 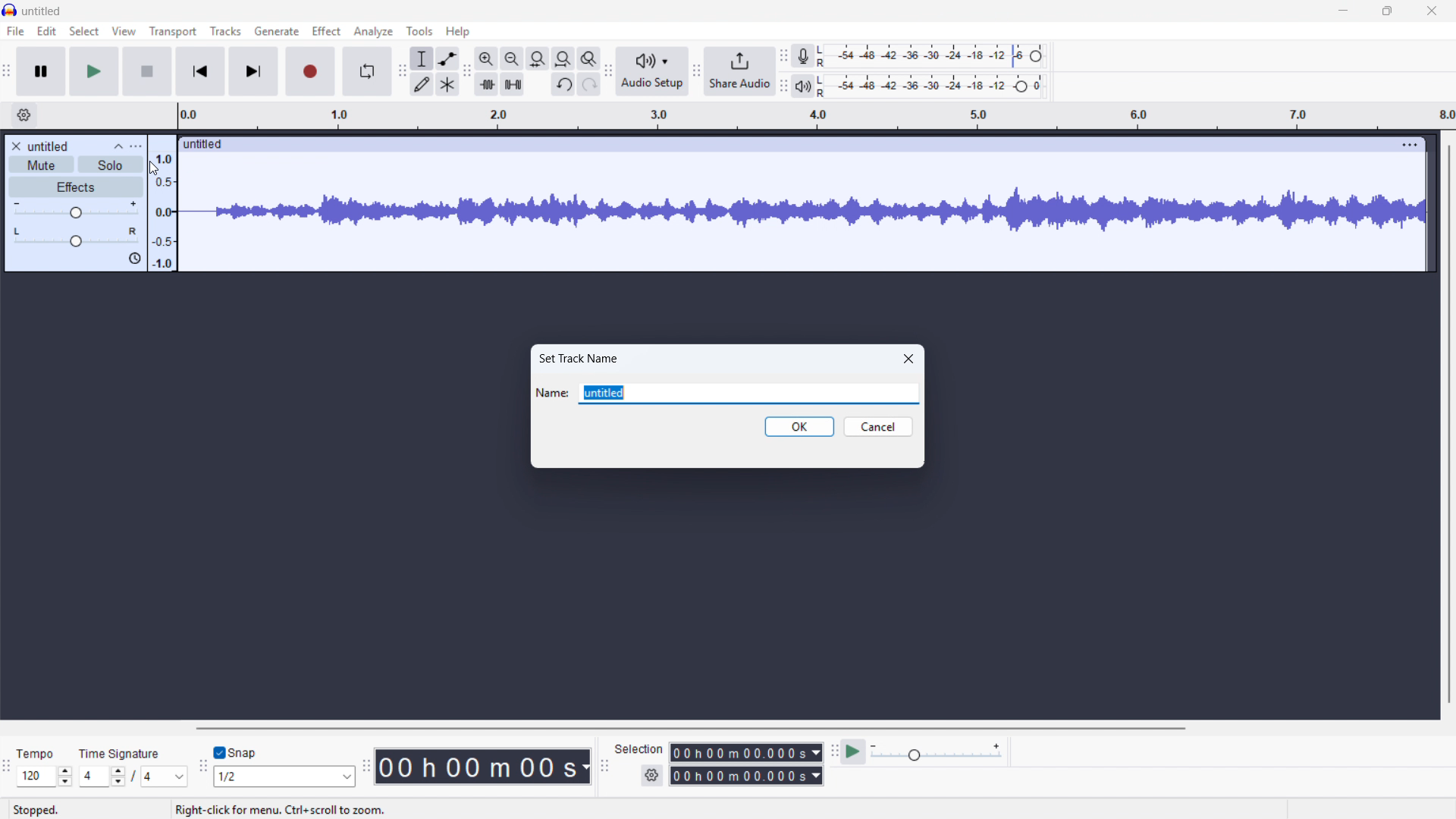 What do you see at coordinates (326, 31) in the screenshot?
I see `Effect ` at bounding box center [326, 31].